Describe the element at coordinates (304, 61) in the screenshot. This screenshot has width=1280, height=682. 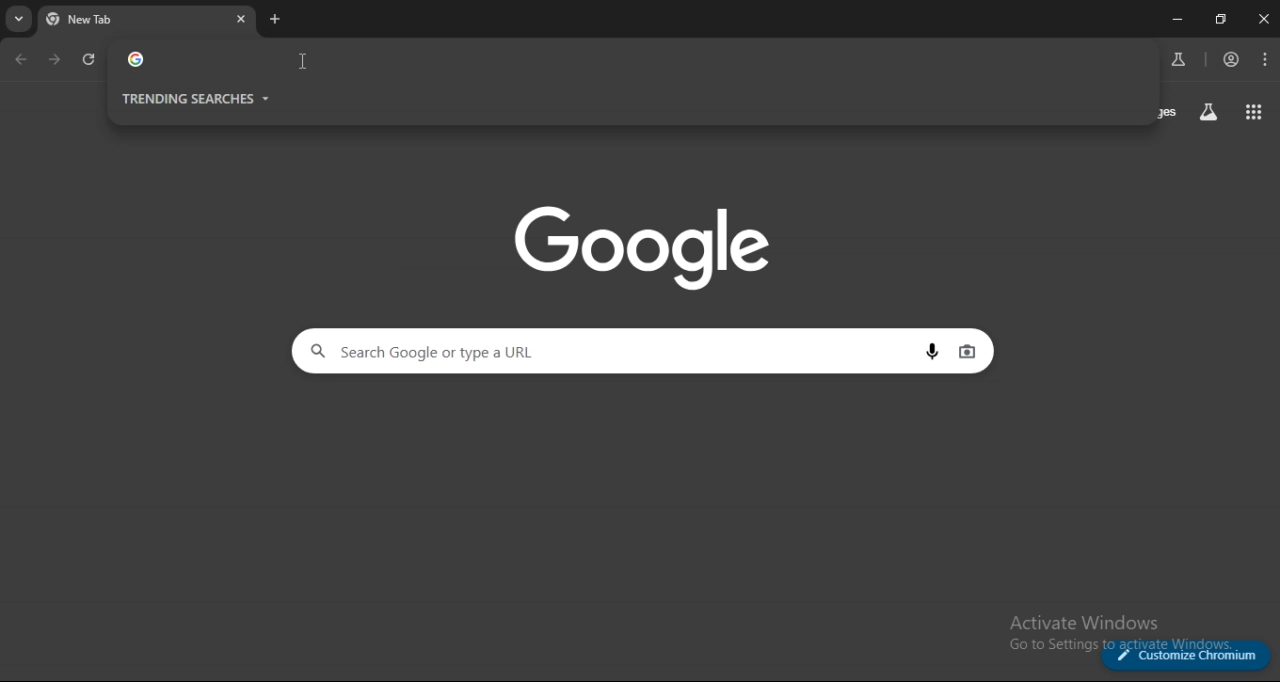
I see `cursor` at that location.